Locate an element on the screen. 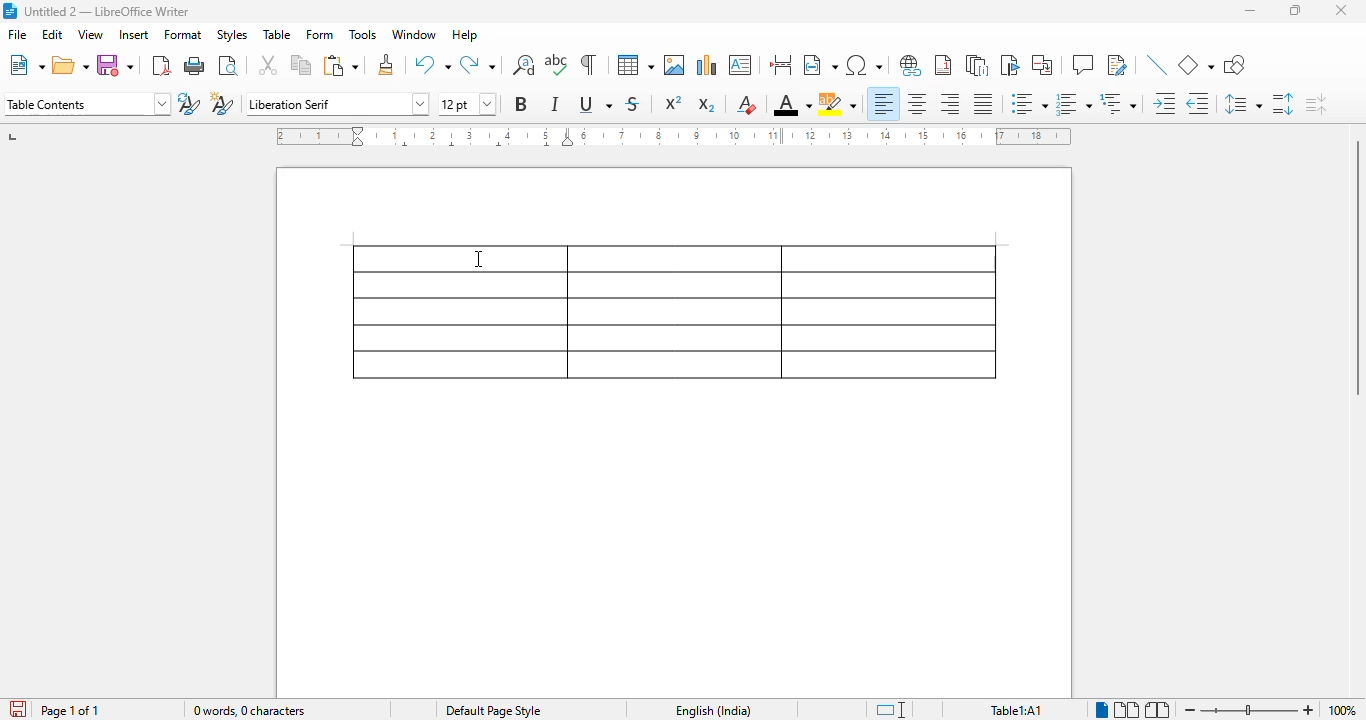 The image size is (1366, 720). insert special characters is located at coordinates (865, 65).